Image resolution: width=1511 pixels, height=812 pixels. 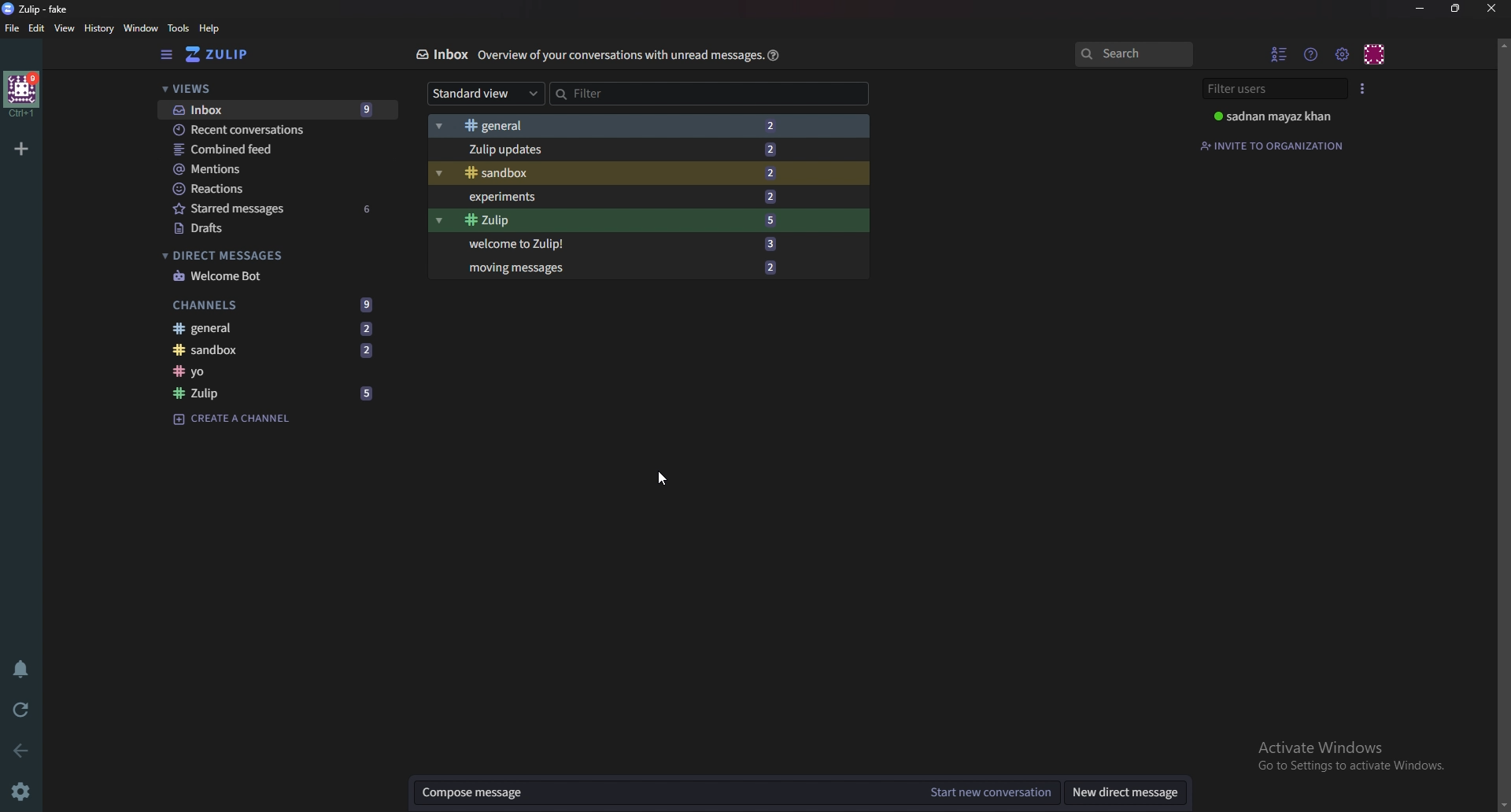 I want to click on mentions, so click(x=261, y=169).